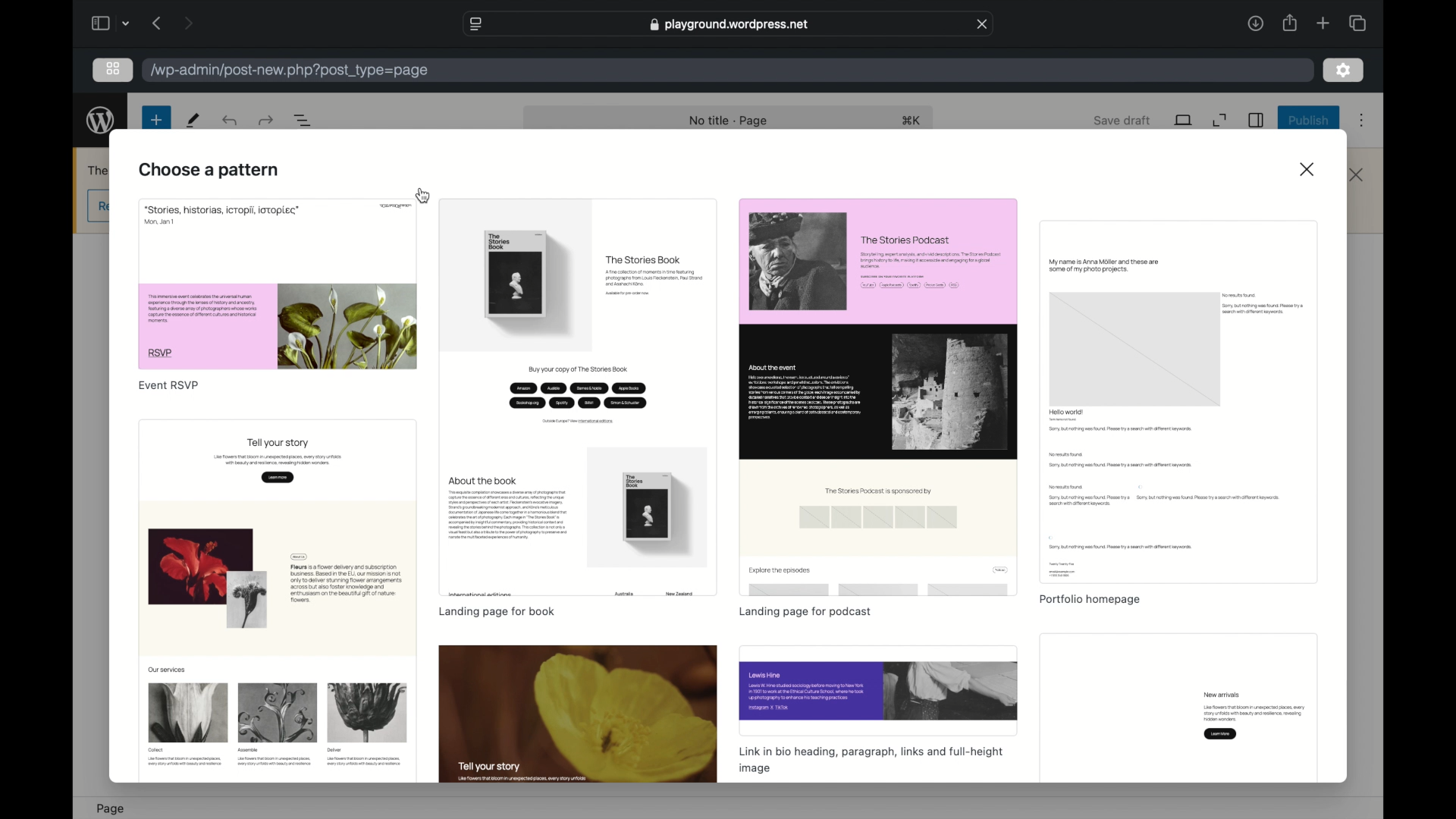  I want to click on wordpress, so click(101, 121).